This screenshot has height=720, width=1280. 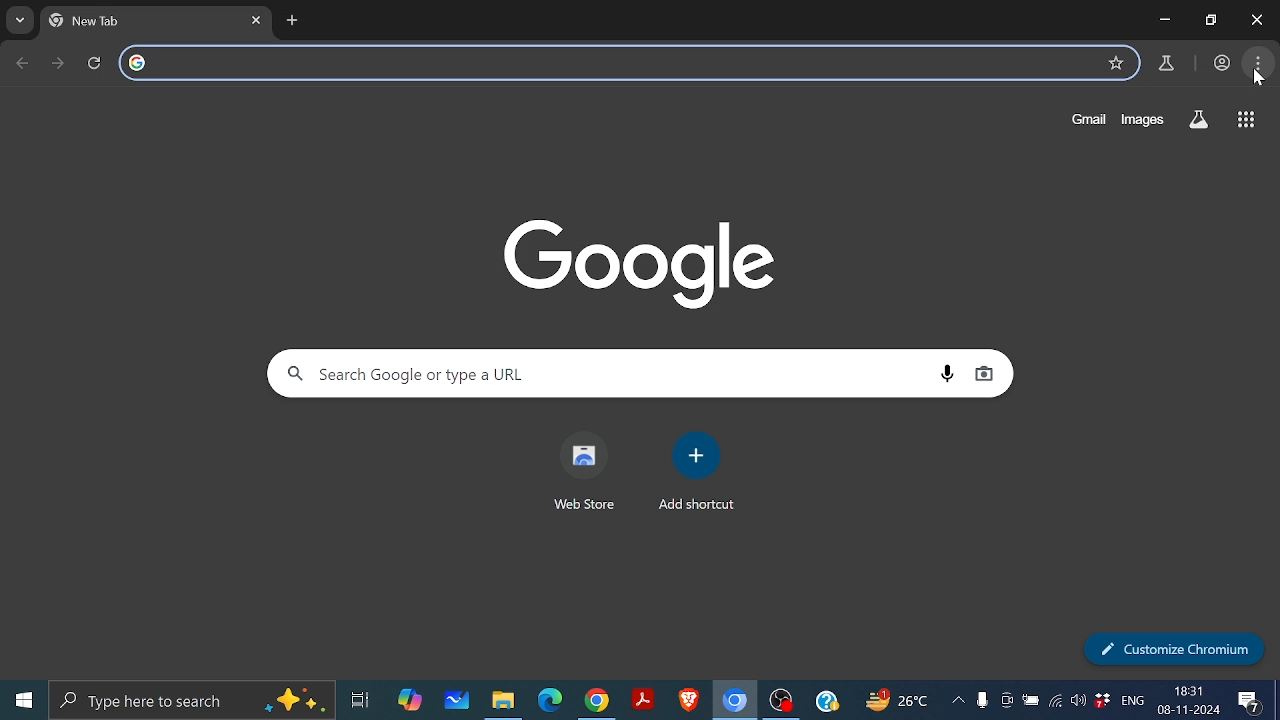 I want to click on dropbox, so click(x=1104, y=704).